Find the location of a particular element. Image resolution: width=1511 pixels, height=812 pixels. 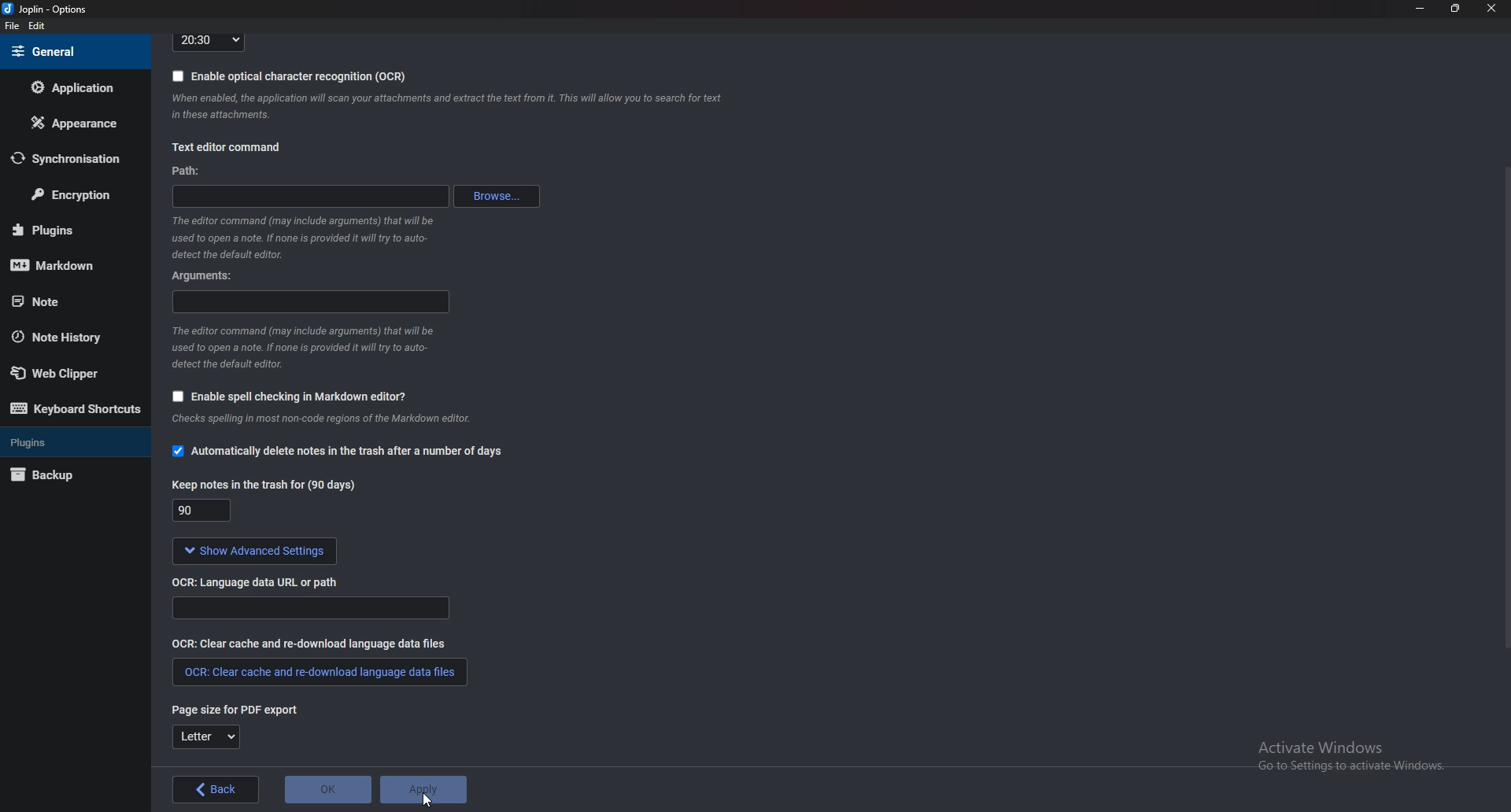

path is located at coordinates (188, 172).